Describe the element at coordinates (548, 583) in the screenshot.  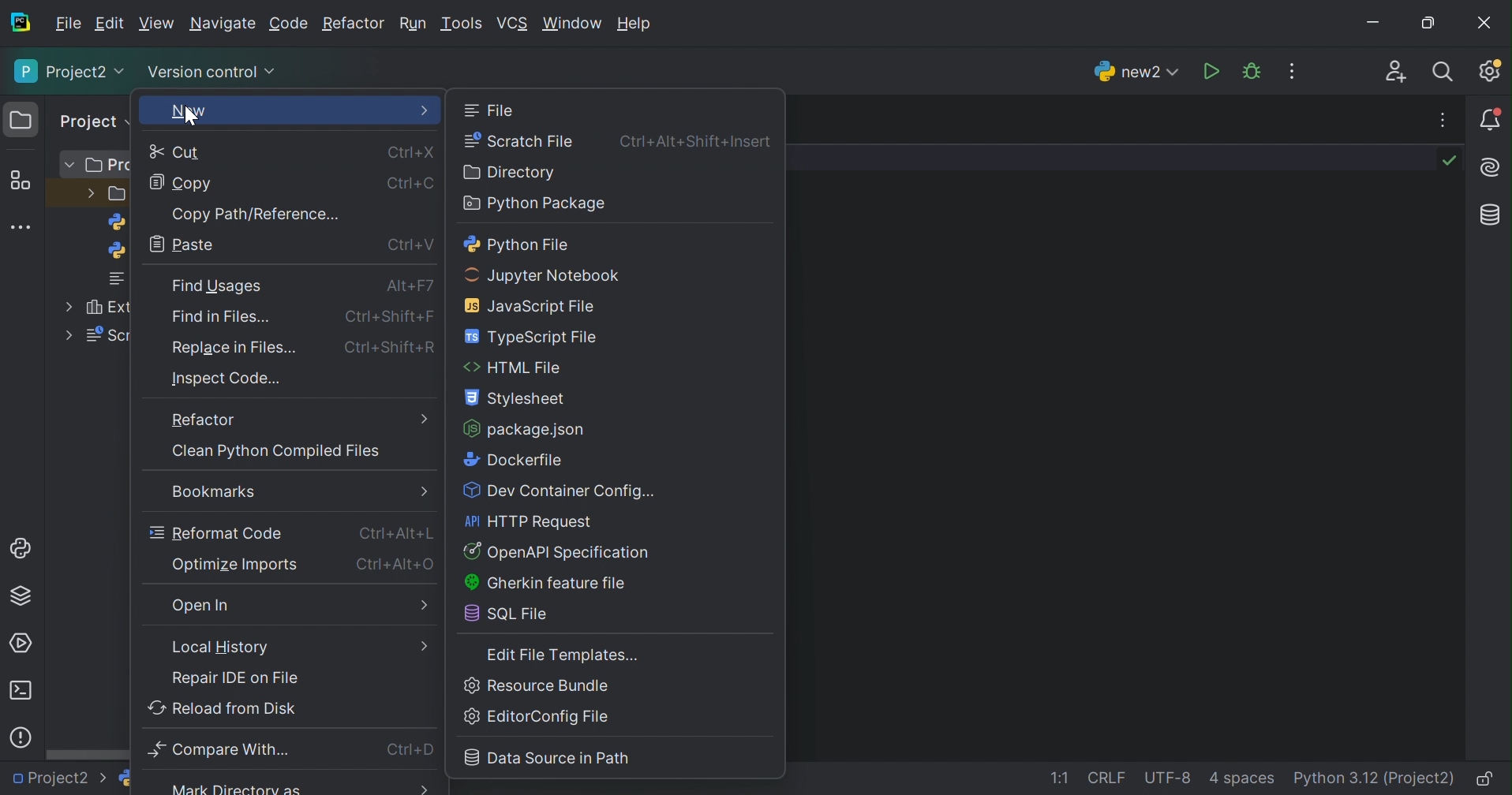
I see `Gherkin feature file` at that location.